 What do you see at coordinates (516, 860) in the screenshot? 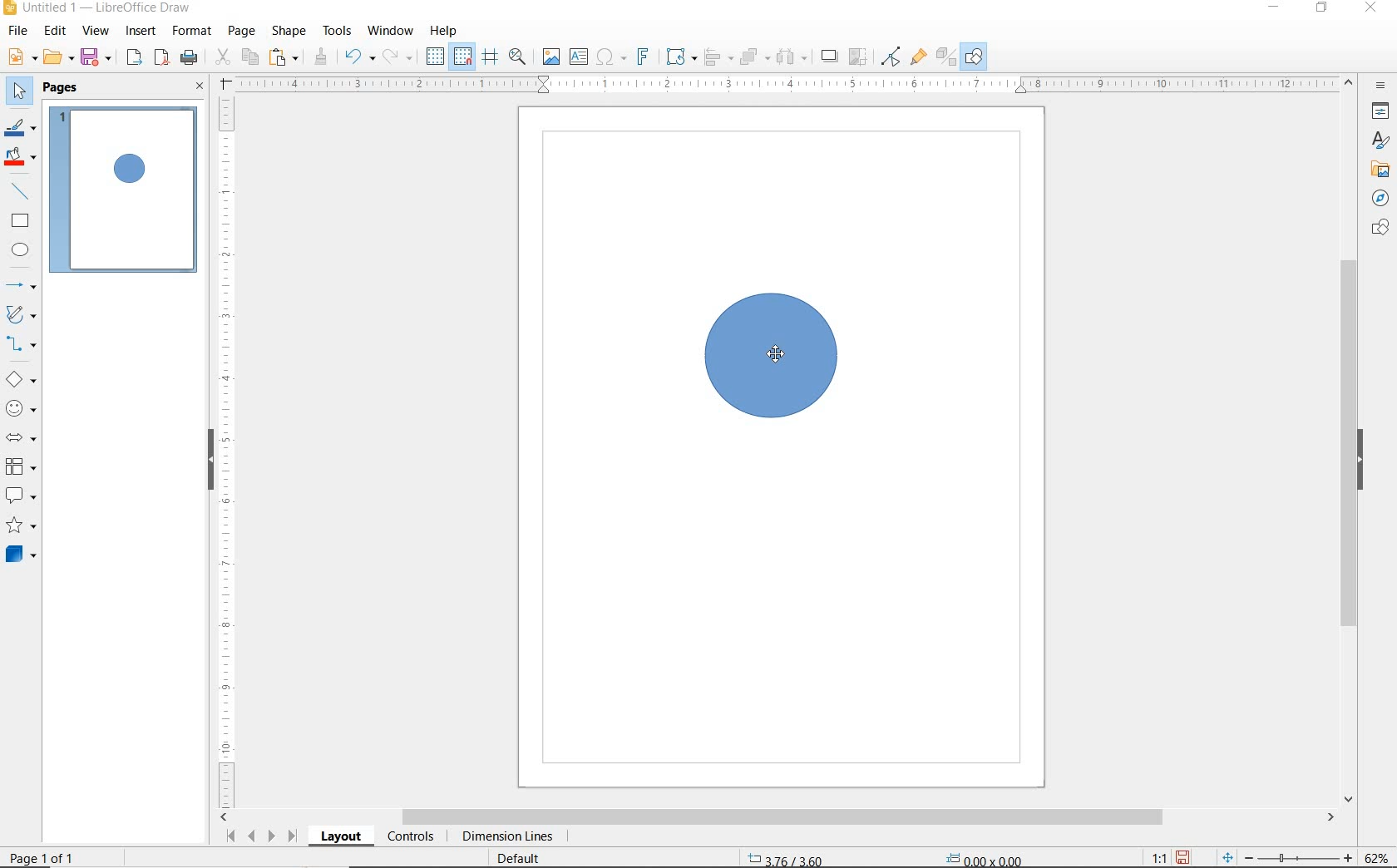
I see `DEFAULT` at bounding box center [516, 860].